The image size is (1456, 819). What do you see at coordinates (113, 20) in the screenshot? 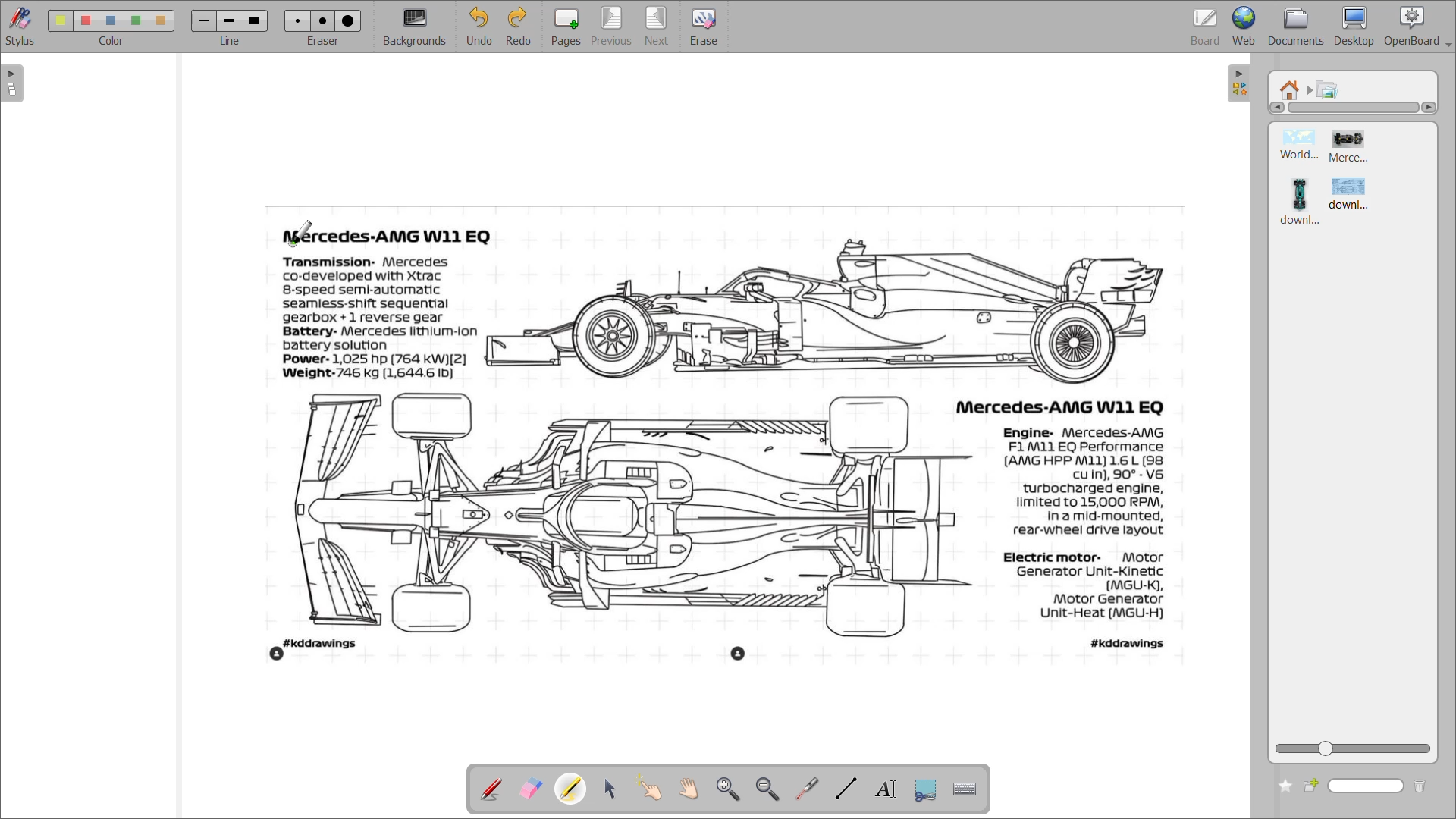
I see `color 3` at bounding box center [113, 20].